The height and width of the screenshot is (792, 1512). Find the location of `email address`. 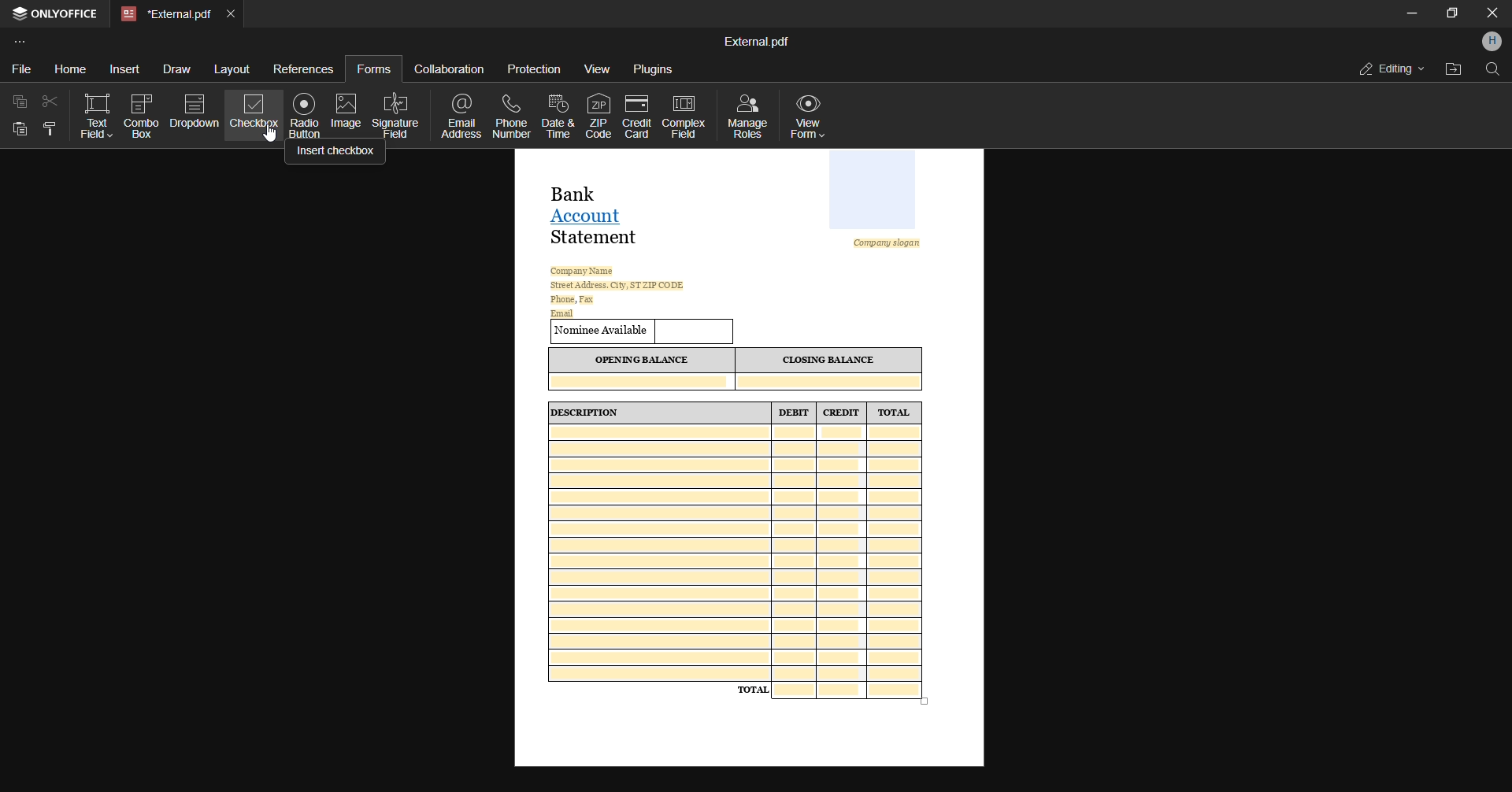

email address is located at coordinates (465, 117).